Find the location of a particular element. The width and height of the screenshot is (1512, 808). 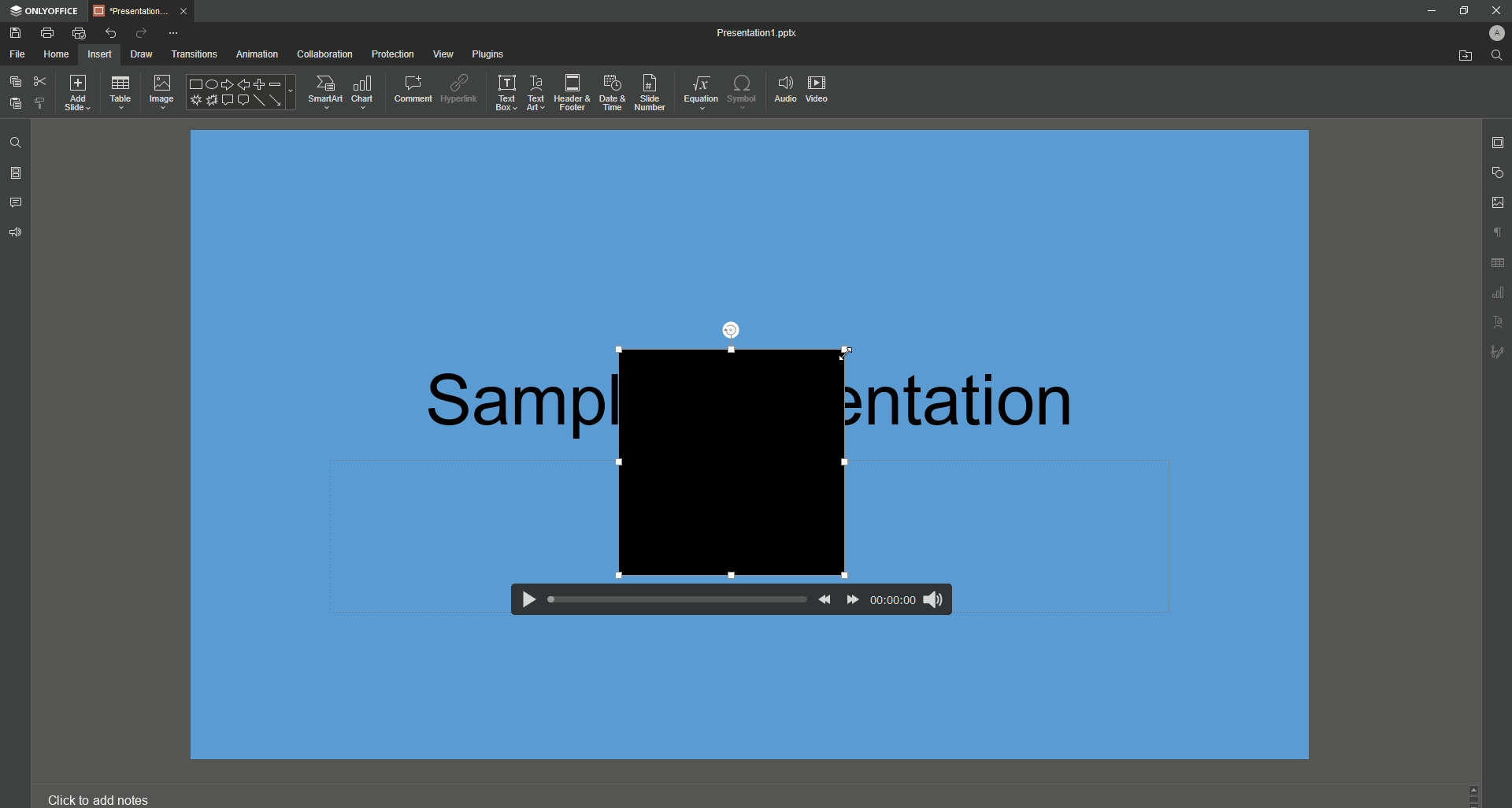

File is located at coordinates (17, 54).